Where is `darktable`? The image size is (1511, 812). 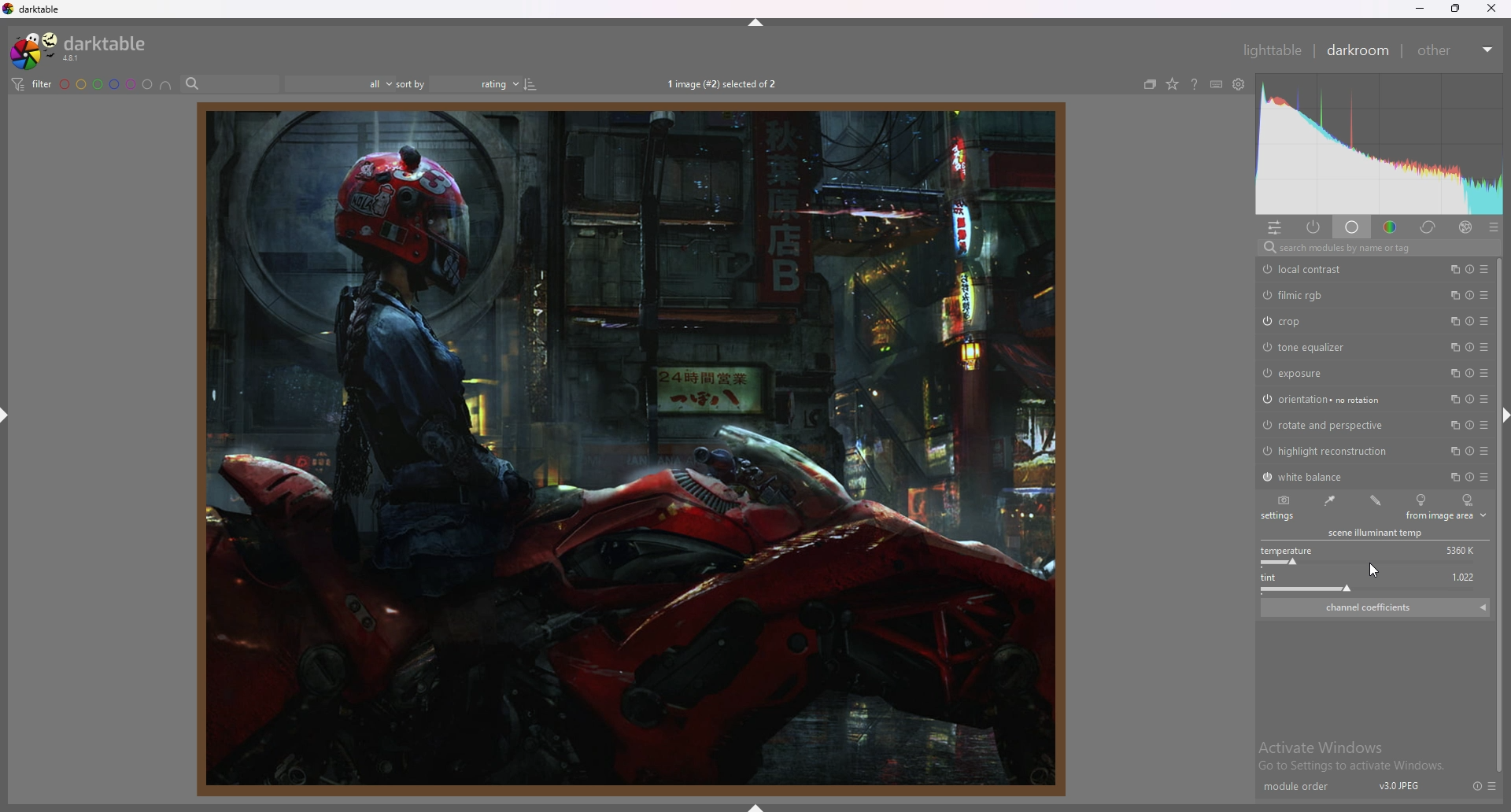
darktable is located at coordinates (35, 9).